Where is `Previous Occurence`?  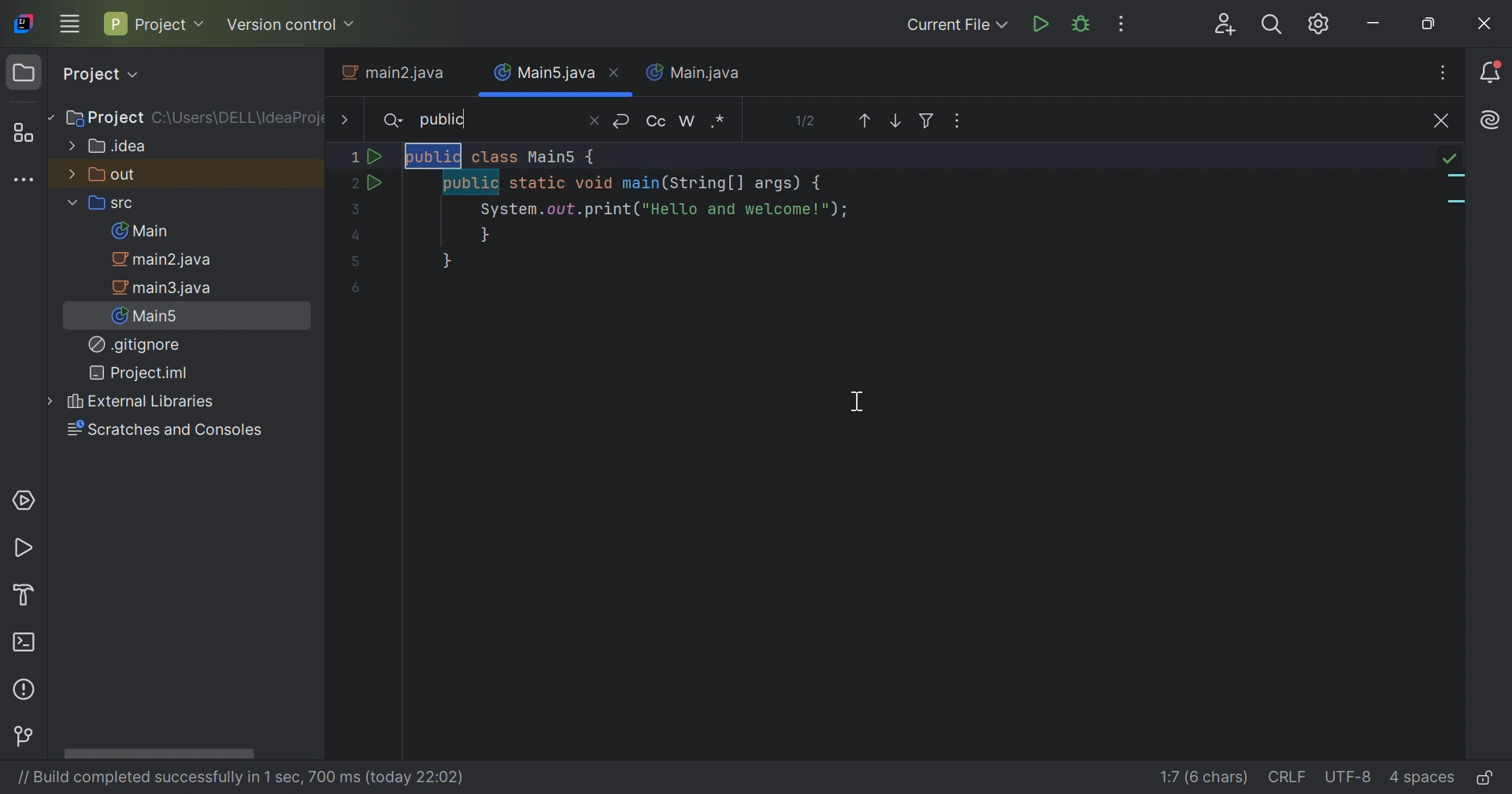
Previous Occurence is located at coordinates (869, 121).